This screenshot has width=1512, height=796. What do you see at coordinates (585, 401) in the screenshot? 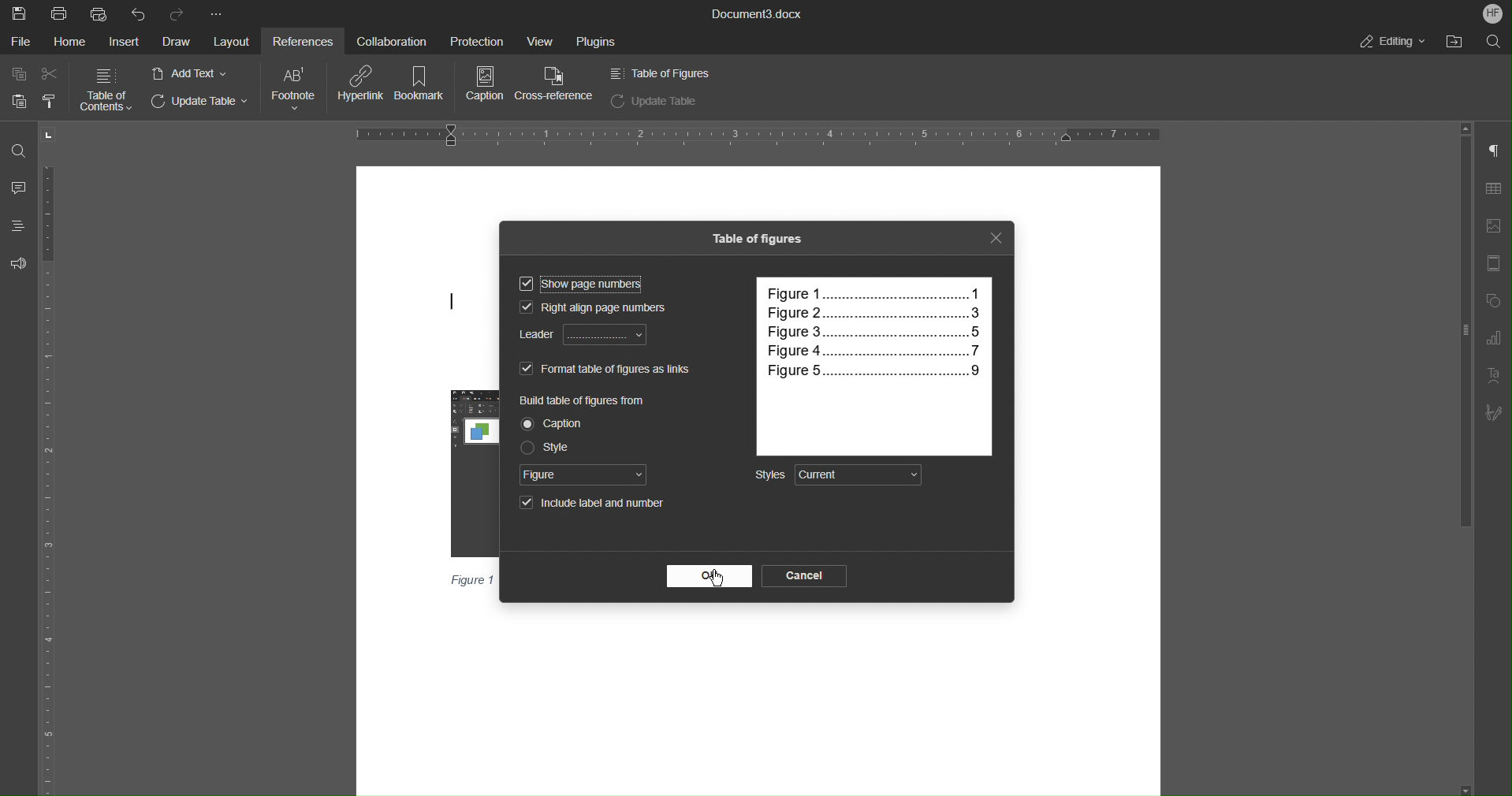
I see `Build table of figures from` at bounding box center [585, 401].